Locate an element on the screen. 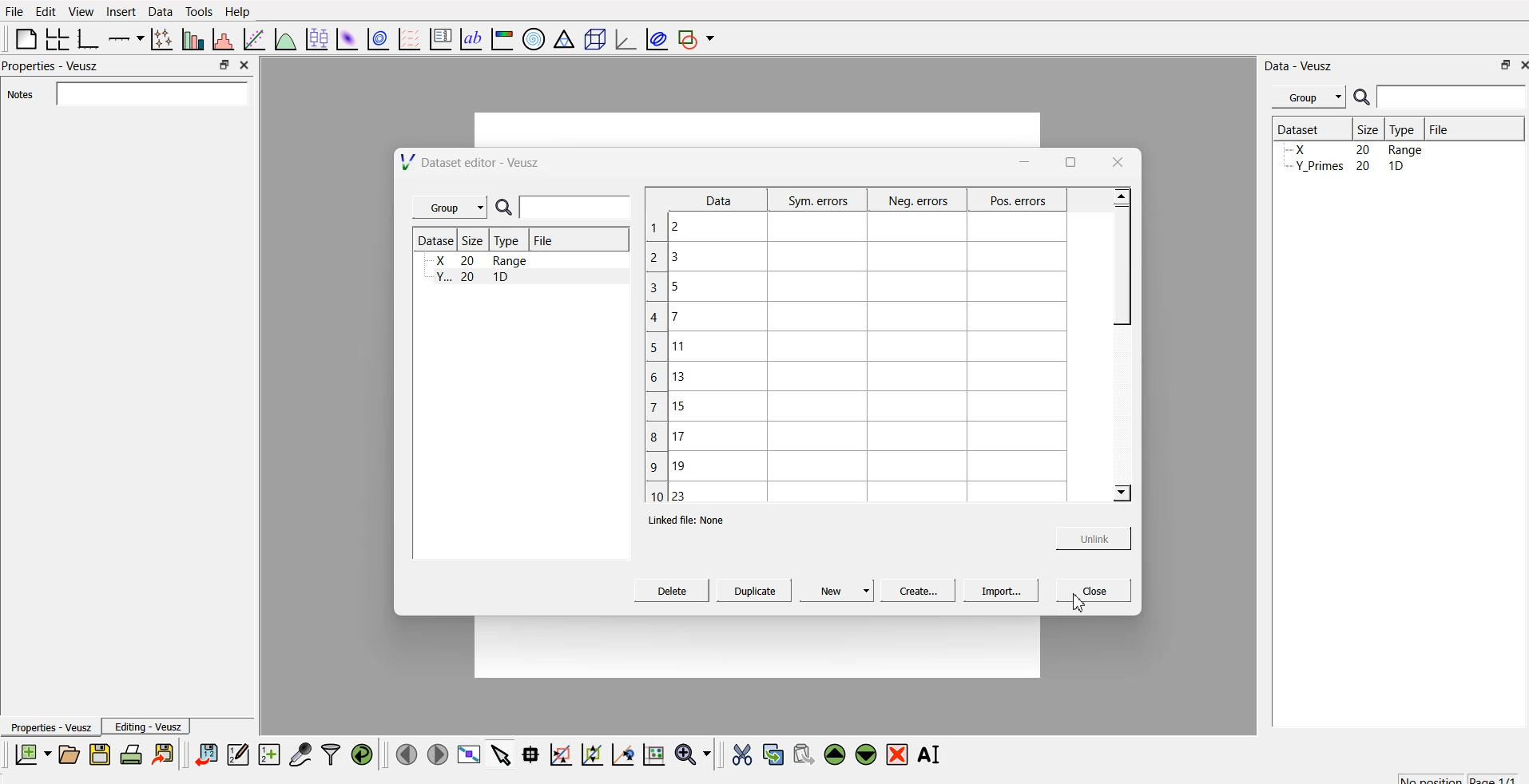  export to graphics format is located at coordinates (166, 754).